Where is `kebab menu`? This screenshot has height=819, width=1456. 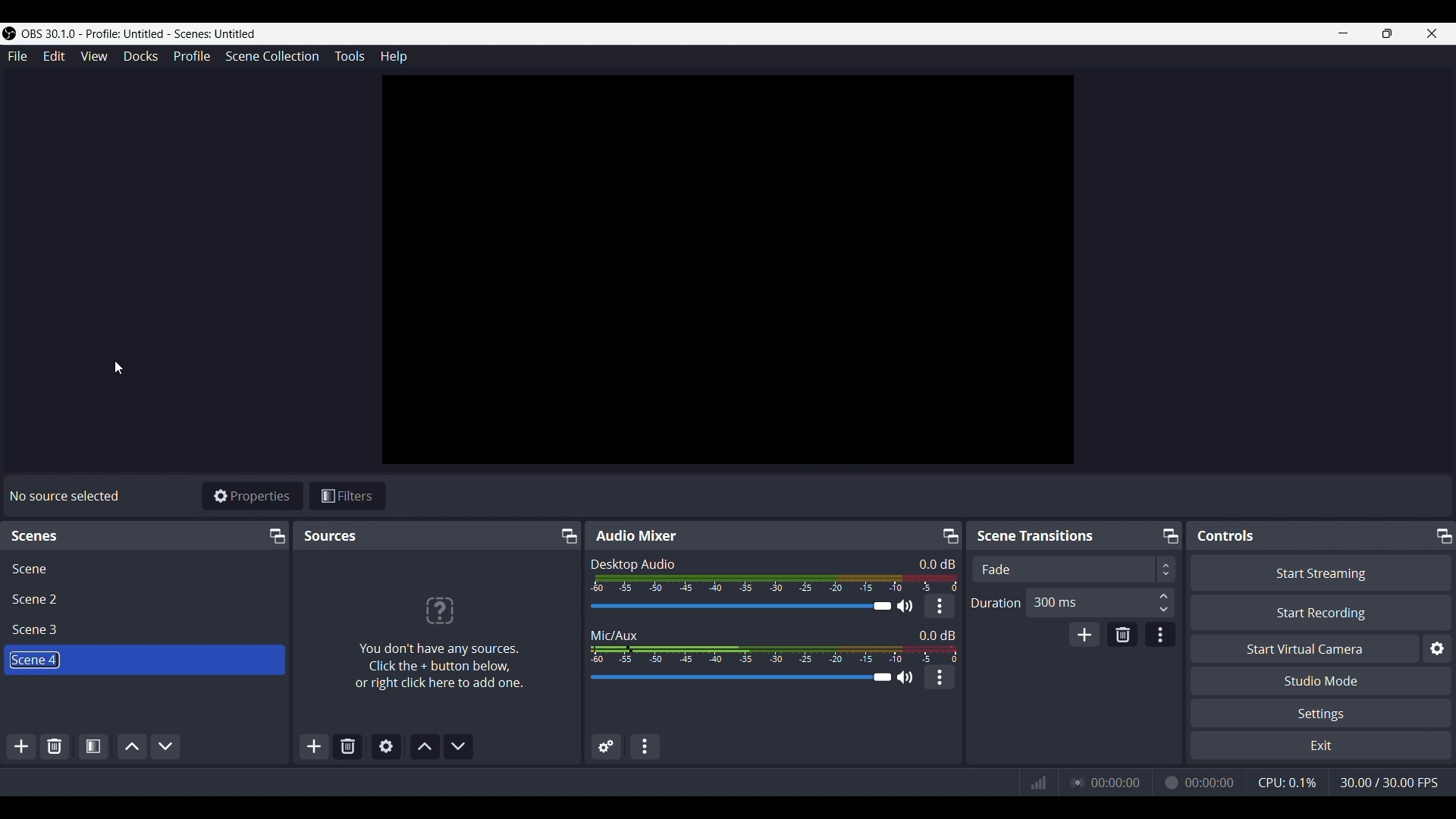 kebab menu is located at coordinates (940, 606).